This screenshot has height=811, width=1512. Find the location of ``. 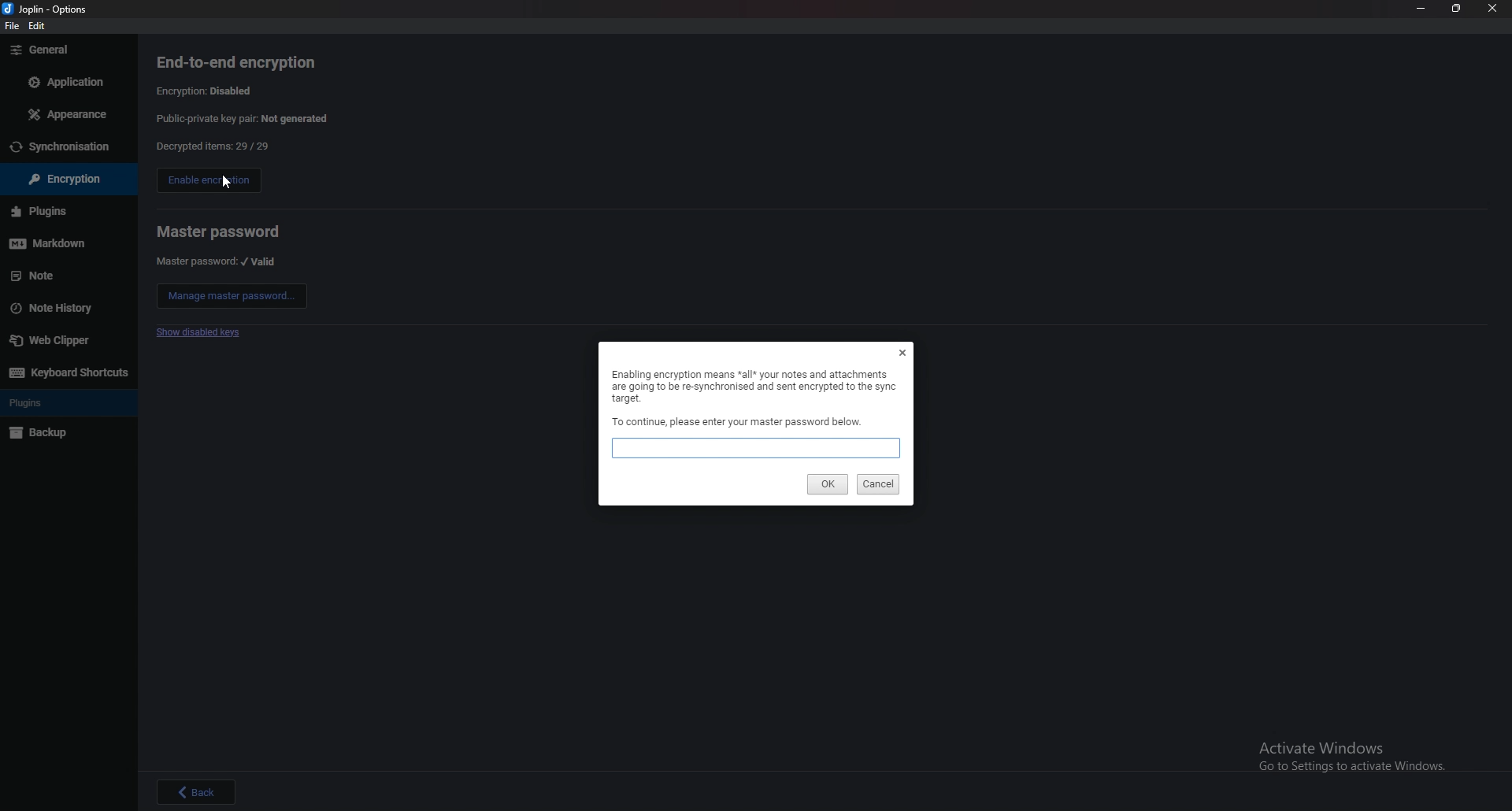

 is located at coordinates (28, 402).